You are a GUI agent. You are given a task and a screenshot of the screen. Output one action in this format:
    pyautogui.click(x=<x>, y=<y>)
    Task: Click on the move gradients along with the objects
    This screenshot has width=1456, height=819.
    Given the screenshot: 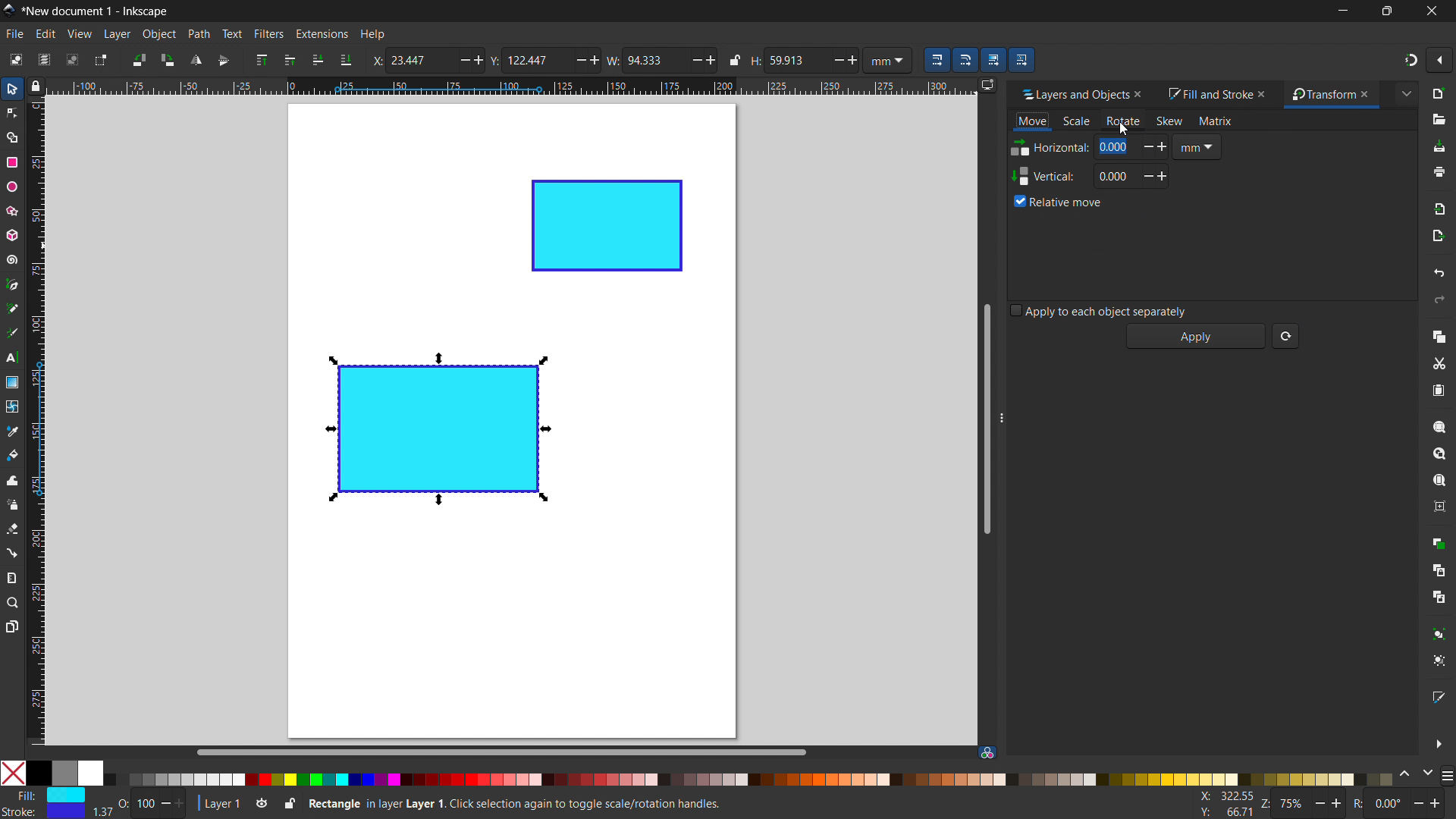 What is the action you would take?
    pyautogui.click(x=993, y=60)
    